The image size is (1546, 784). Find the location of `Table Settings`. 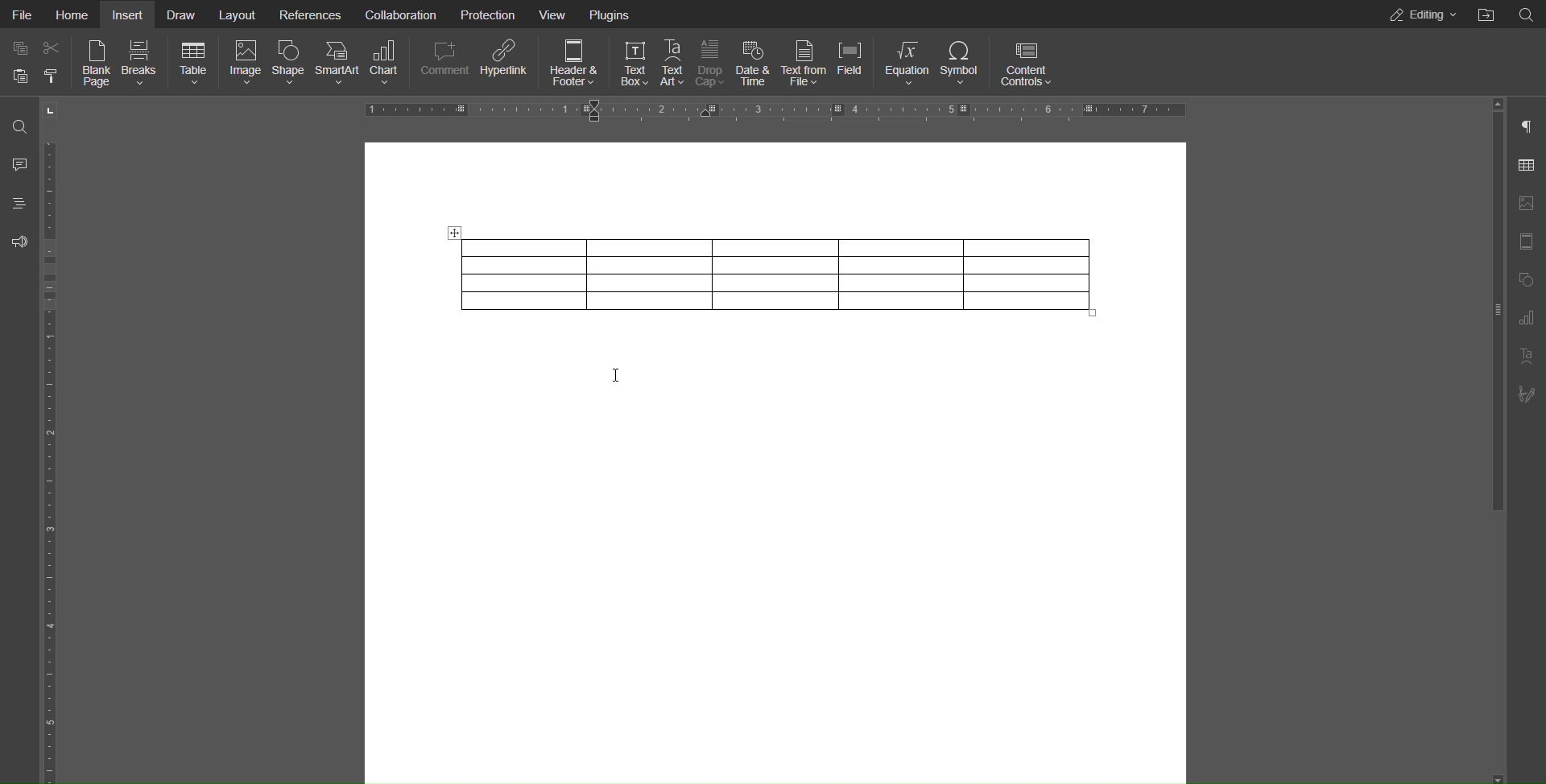

Table Settings is located at coordinates (1523, 165).